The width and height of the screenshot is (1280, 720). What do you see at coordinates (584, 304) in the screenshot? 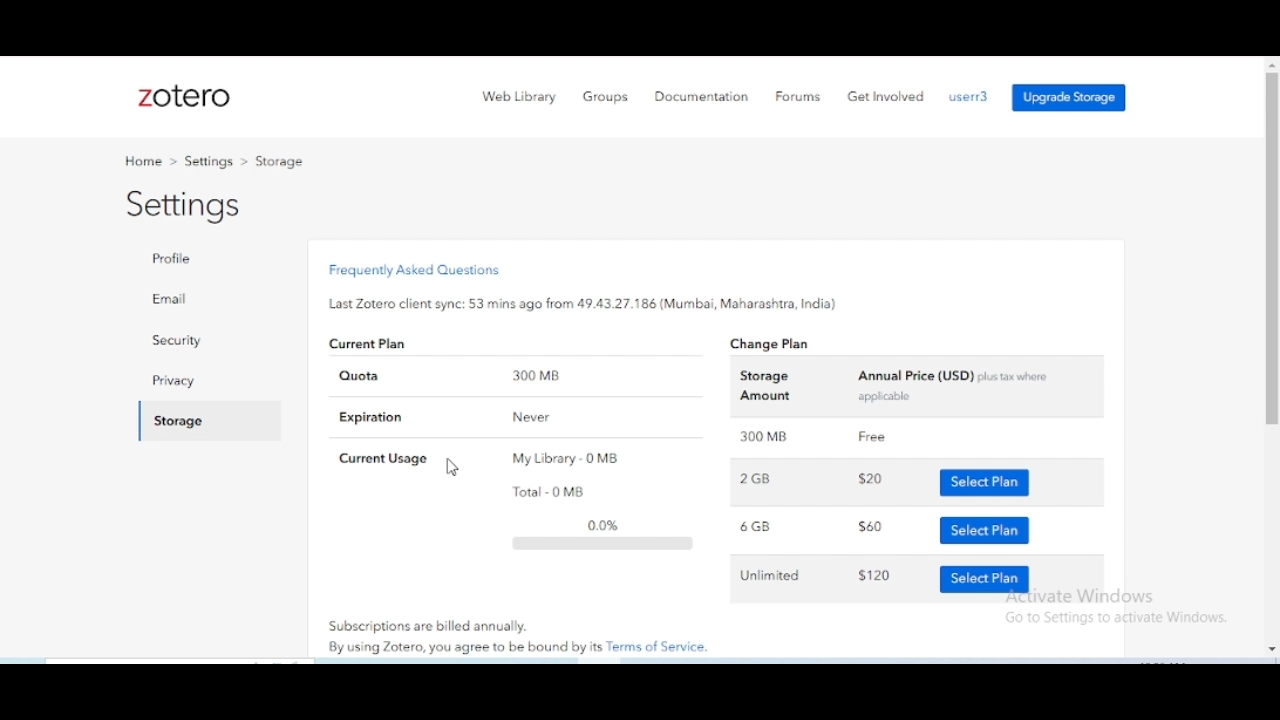
I see `Last Zotero client sync: 53 mins ago from 49.43.27.186 (Mumbai, Maharashtra, India)` at bounding box center [584, 304].